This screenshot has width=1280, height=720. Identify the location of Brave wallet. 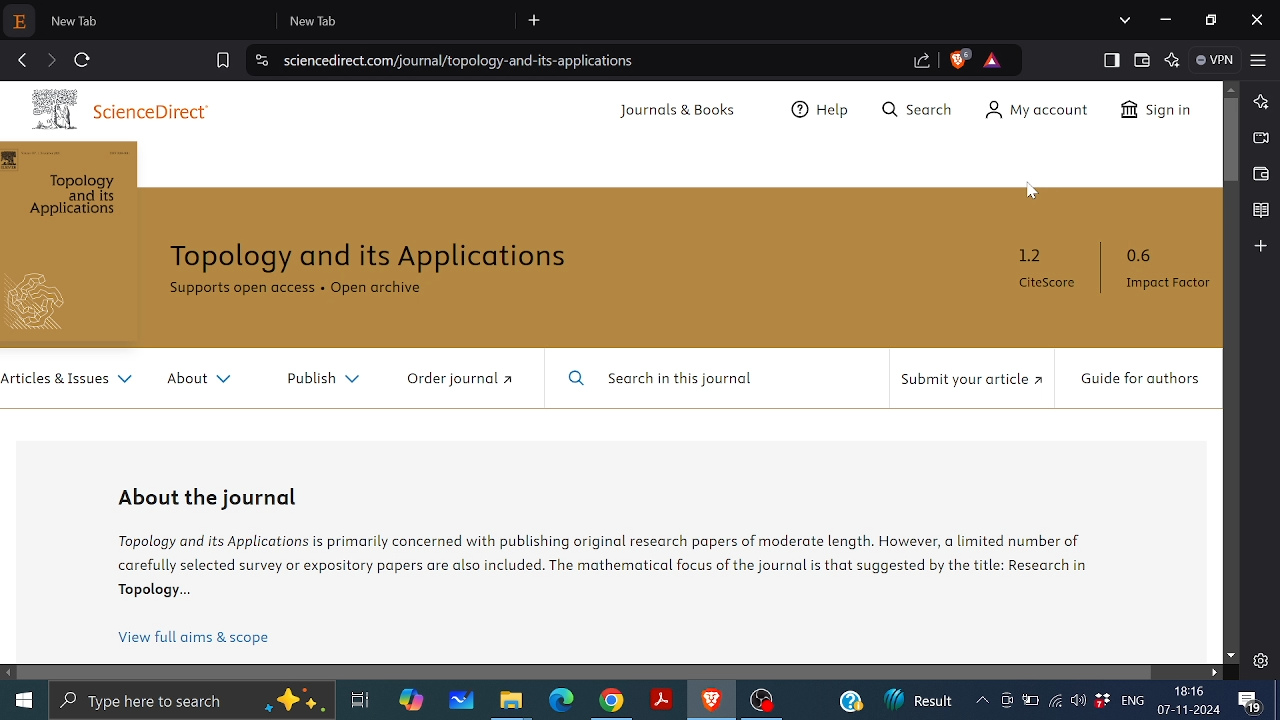
(1259, 174).